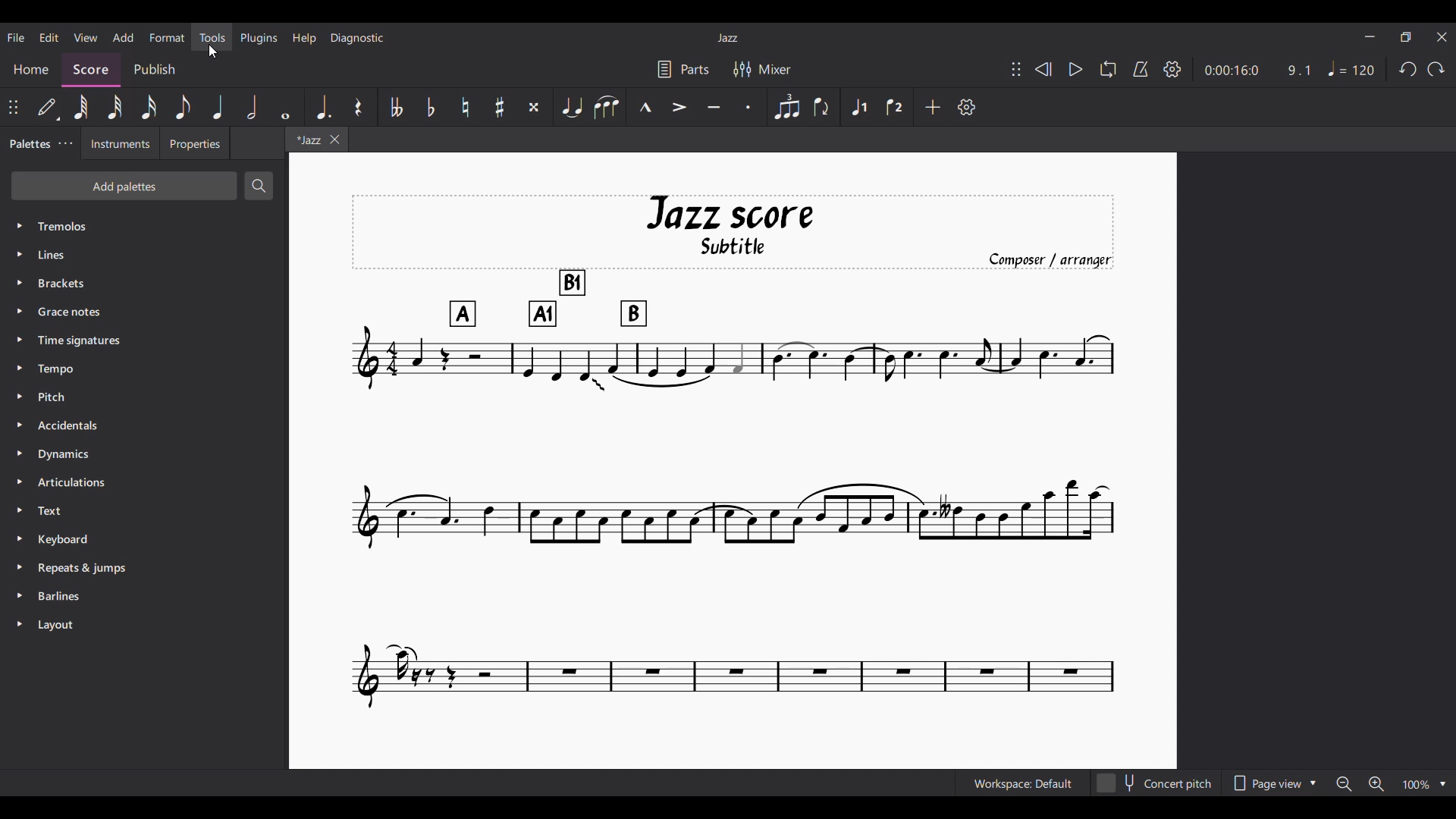 This screenshot has width=1456, height=819. I want to click on Toggle sharp, so click(500, 107).